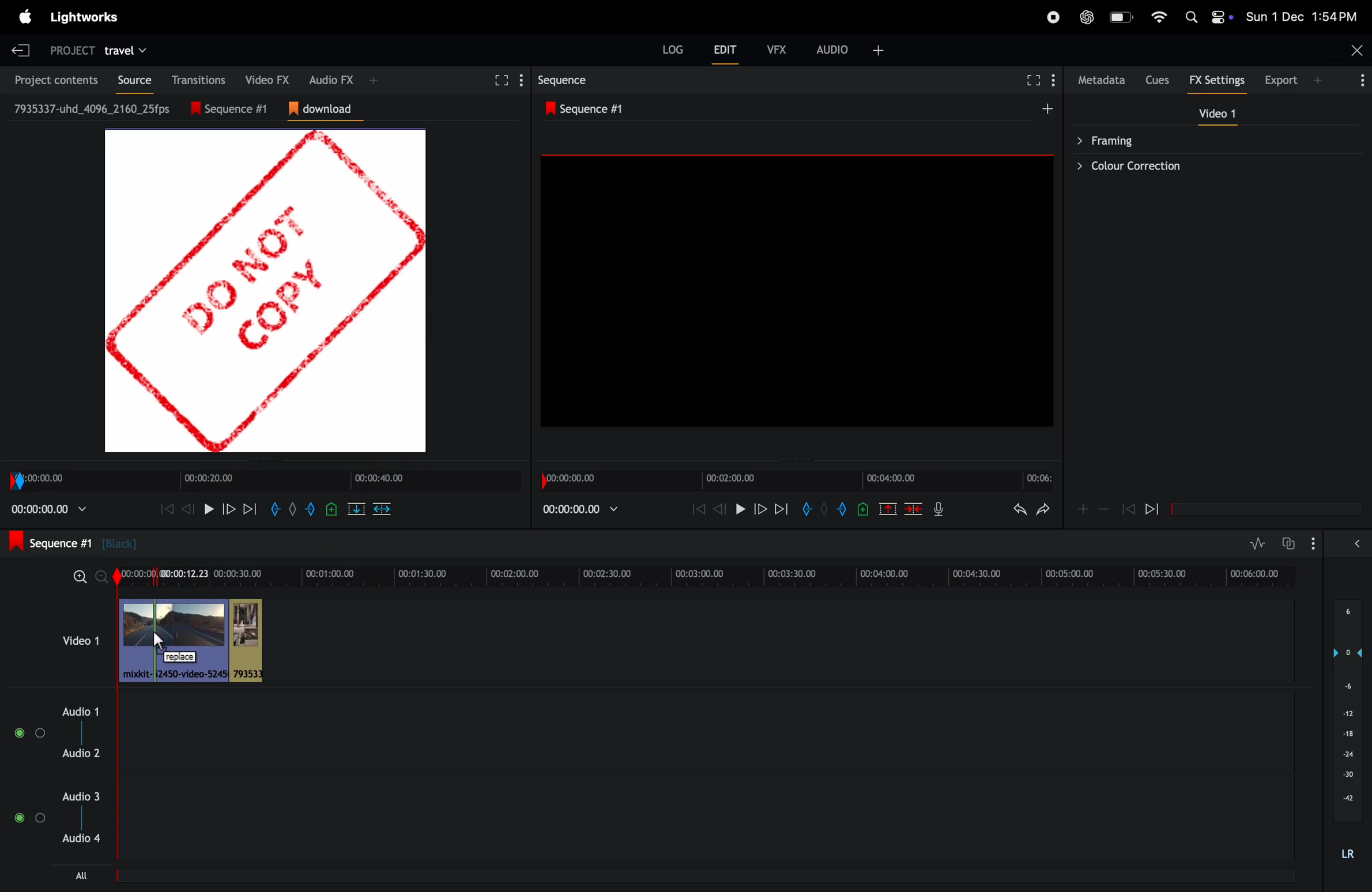 The height and width of the screenshot is (892, 1372). I want to click on vfx, so click(777, 50).